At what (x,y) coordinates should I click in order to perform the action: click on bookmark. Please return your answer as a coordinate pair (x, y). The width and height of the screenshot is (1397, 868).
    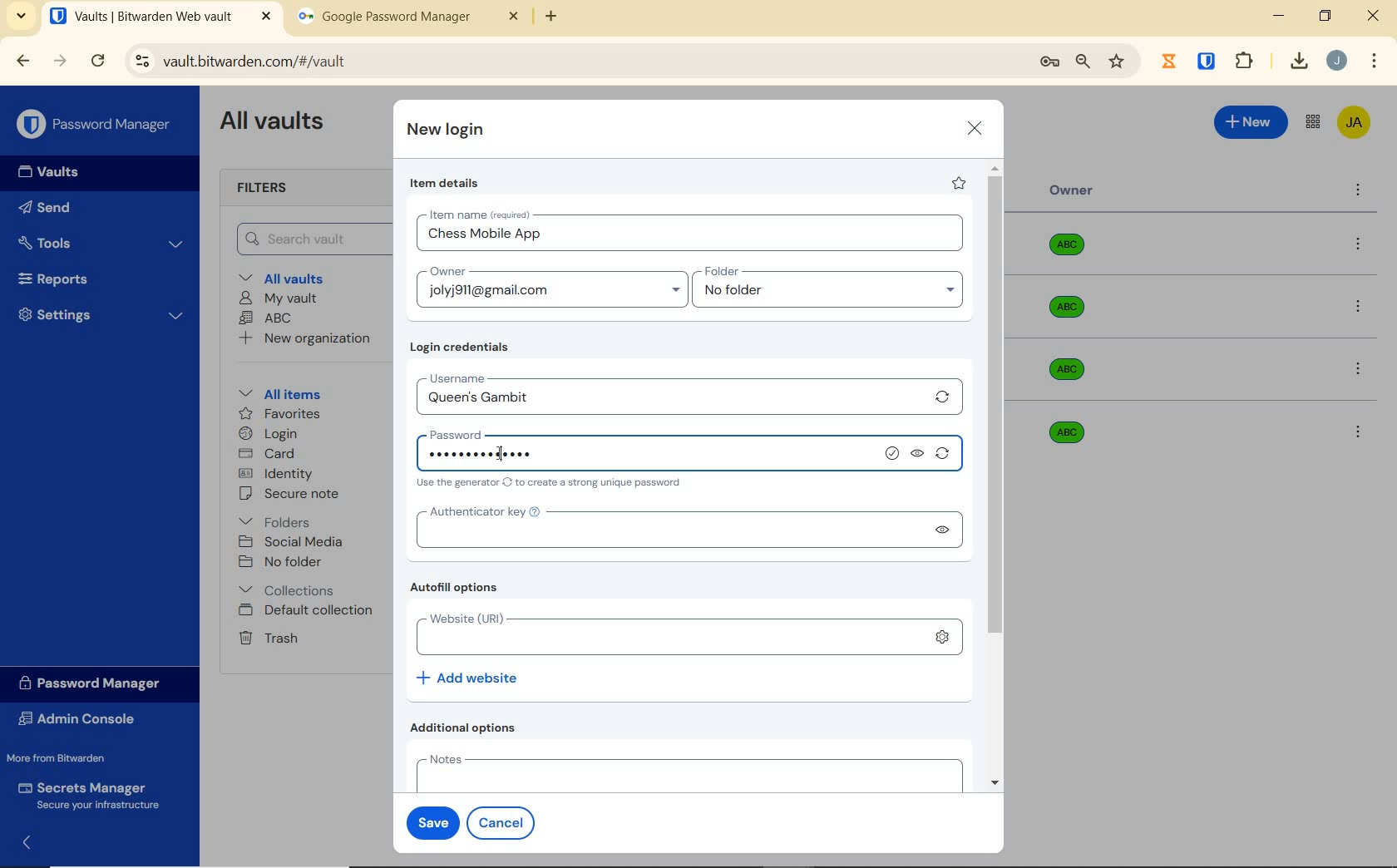
    Looking at the image, I should click on (1118, 61).